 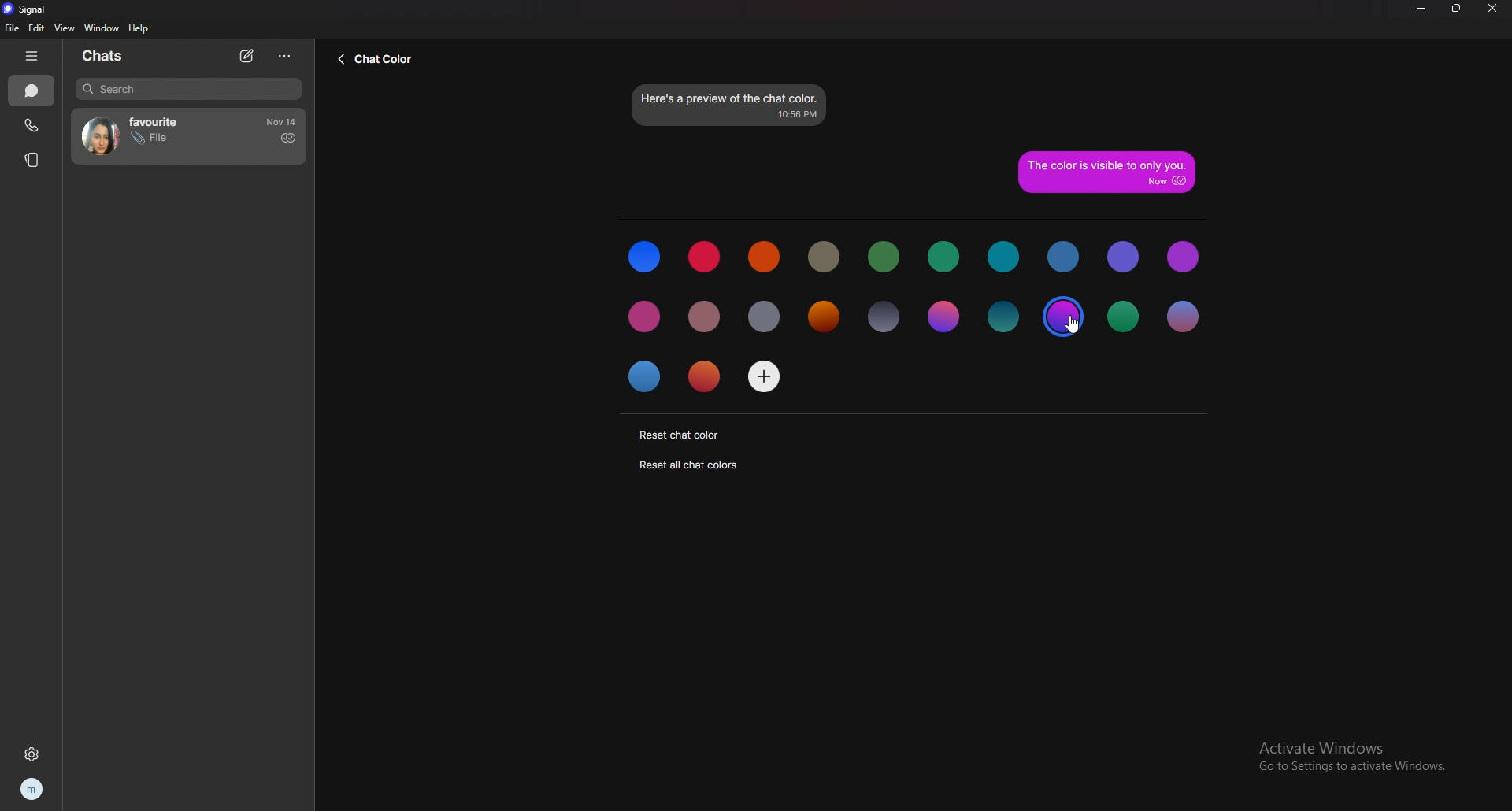 What do you see at coordinates (165, 135) in the screenshot?
I see `contact` at bounding box center [165, 135].